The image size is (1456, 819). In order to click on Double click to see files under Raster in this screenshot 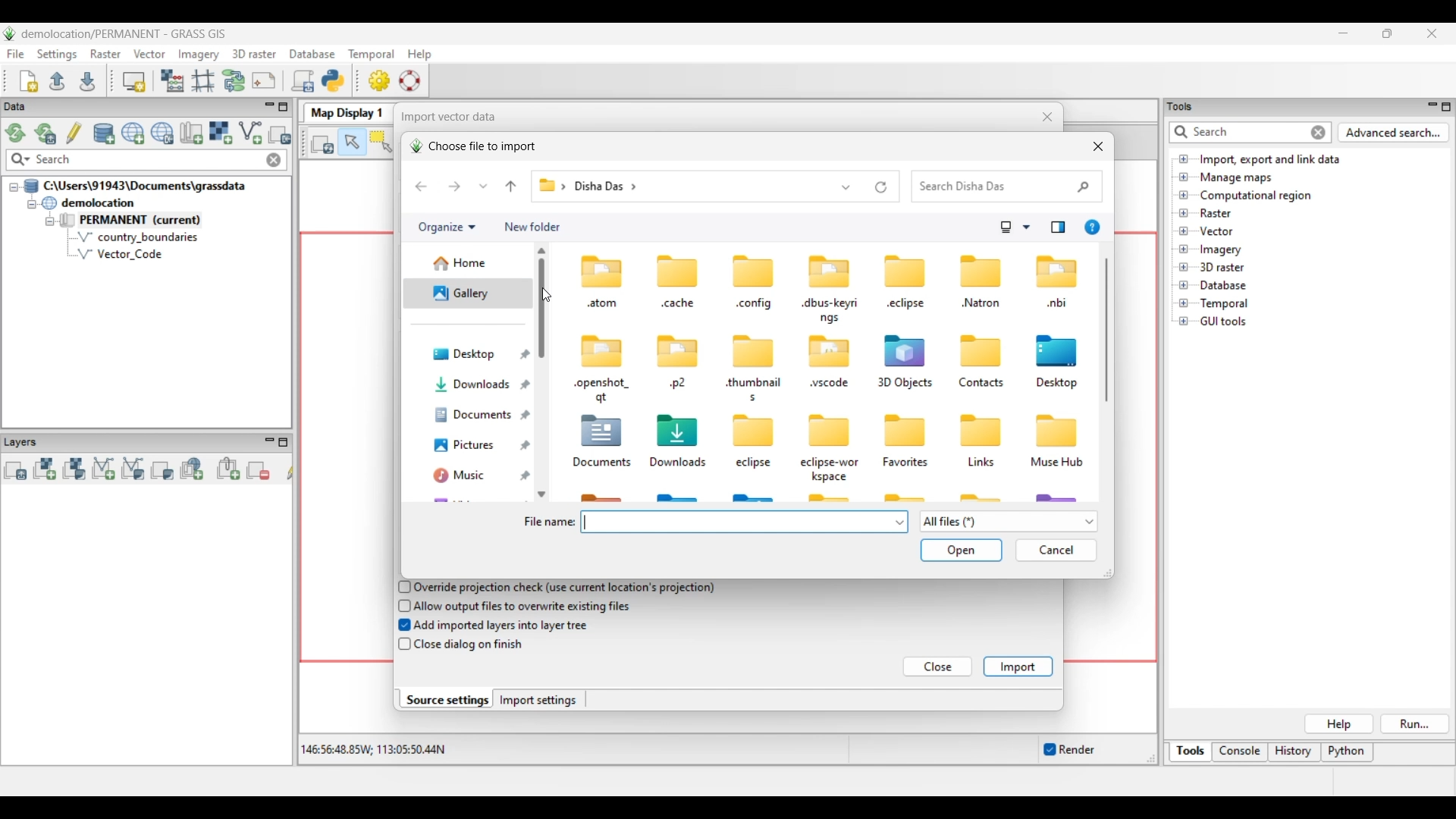, I will do `click(1216, 213)`.